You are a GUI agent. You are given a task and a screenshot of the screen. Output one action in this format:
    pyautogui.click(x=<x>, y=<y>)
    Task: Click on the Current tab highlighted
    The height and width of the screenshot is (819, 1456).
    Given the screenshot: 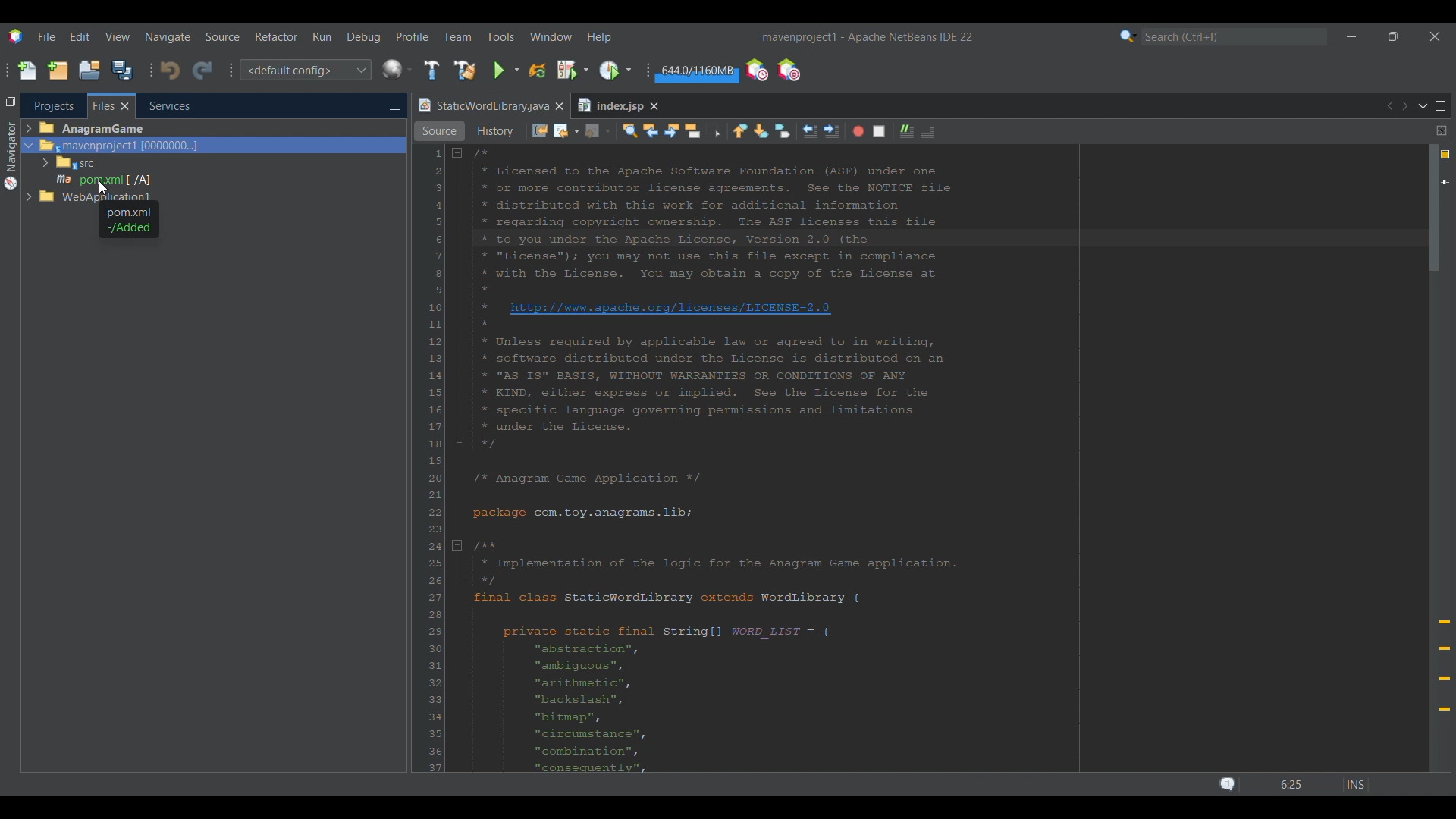 What is the action you would take?
    pyautogui.click(x=482, y=106)
    